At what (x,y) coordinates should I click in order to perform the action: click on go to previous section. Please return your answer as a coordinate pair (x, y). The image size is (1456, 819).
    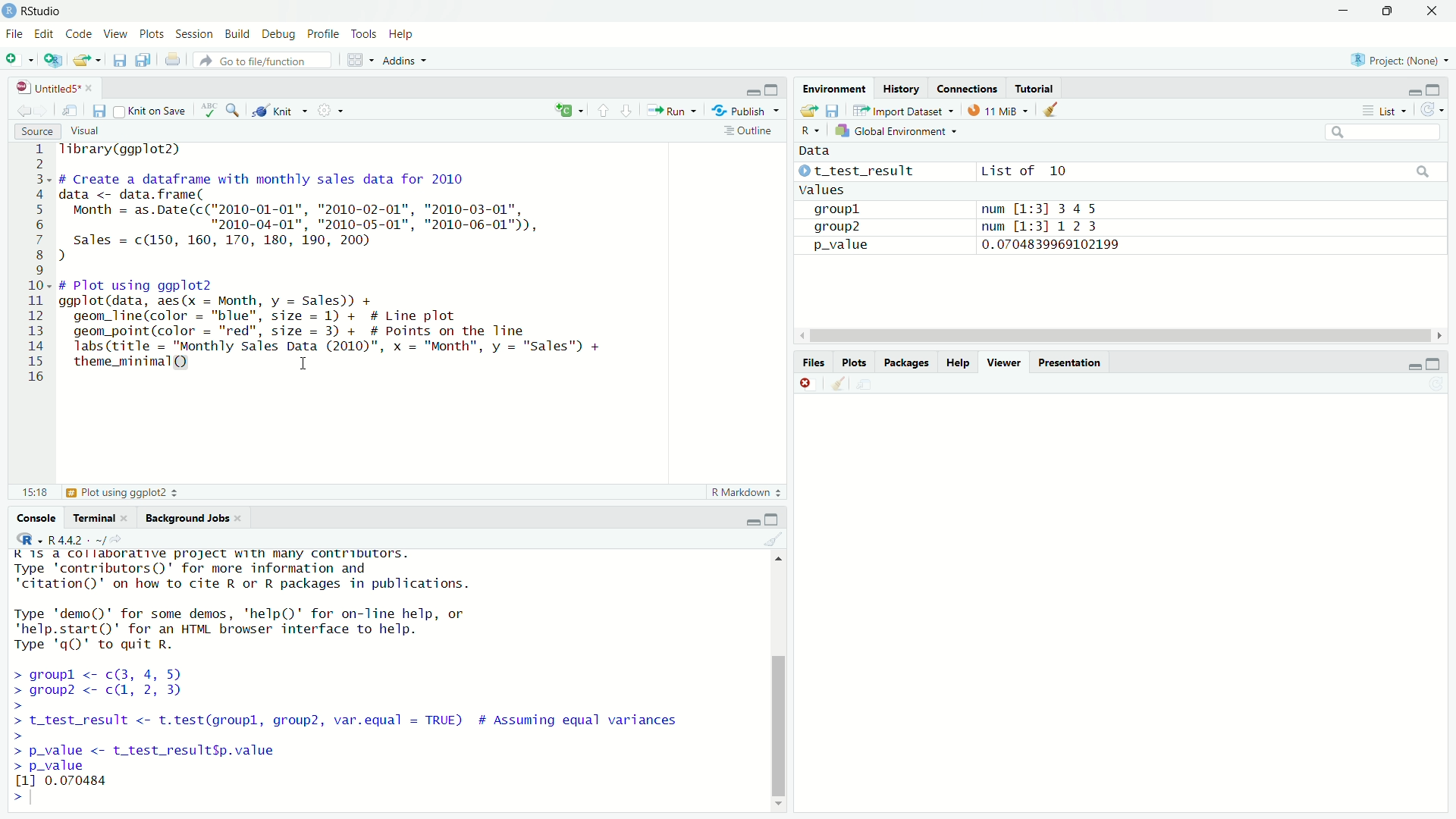
    Looking at the image, I should click on (604, 111).